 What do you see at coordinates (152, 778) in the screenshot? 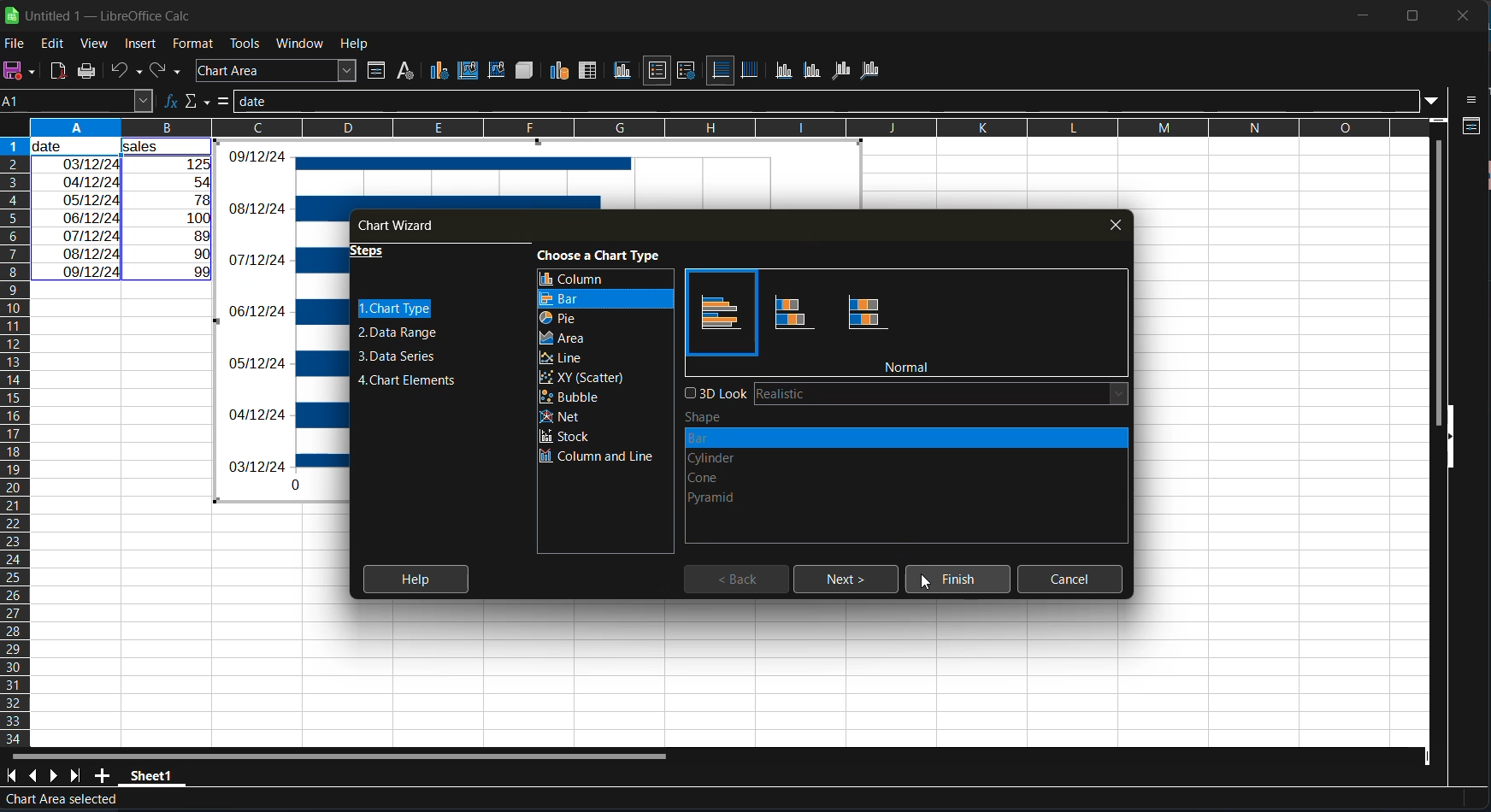
I see `sheet name` at bounding box center [152, 778].